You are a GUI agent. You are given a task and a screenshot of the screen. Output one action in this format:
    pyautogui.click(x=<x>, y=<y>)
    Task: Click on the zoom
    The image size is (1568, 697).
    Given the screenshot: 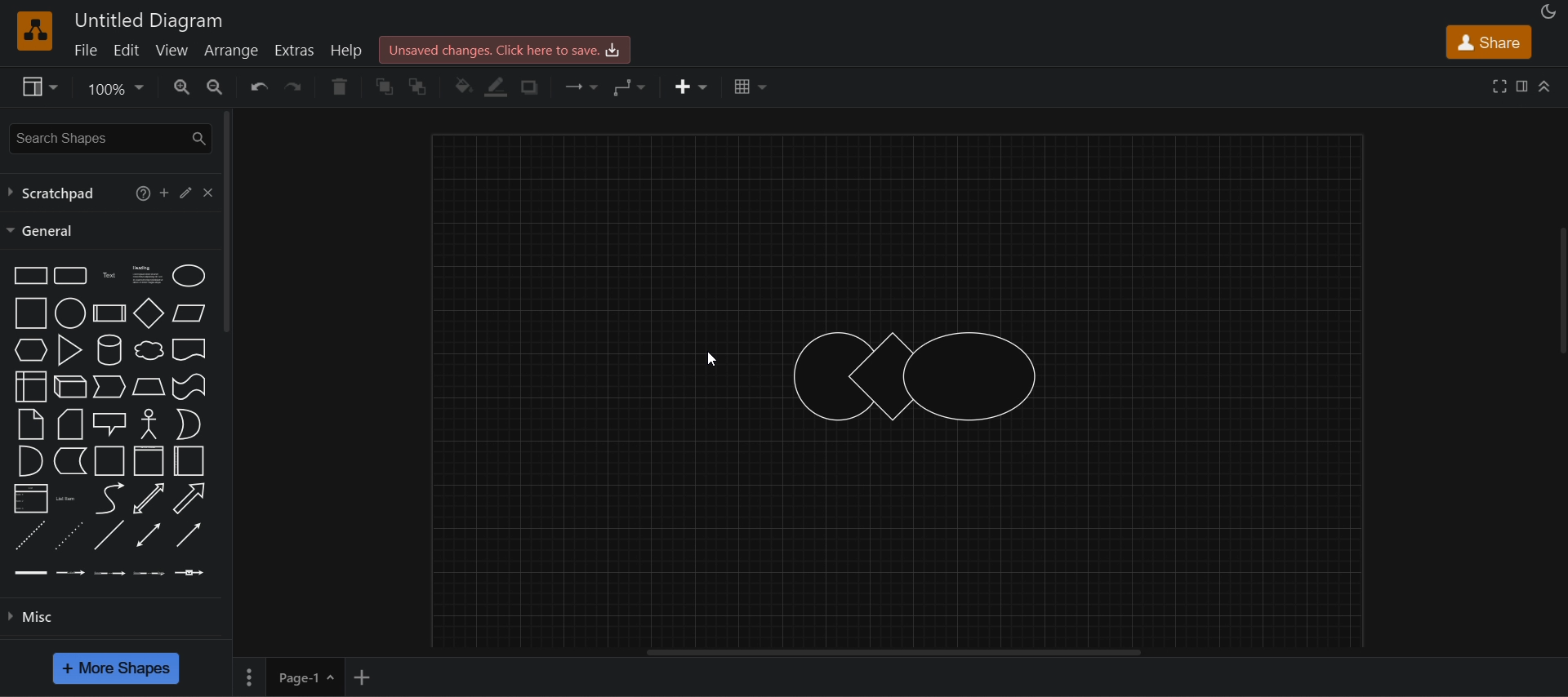 What is the action you would take?
    pyautogui.click(x=114, y=91)
    